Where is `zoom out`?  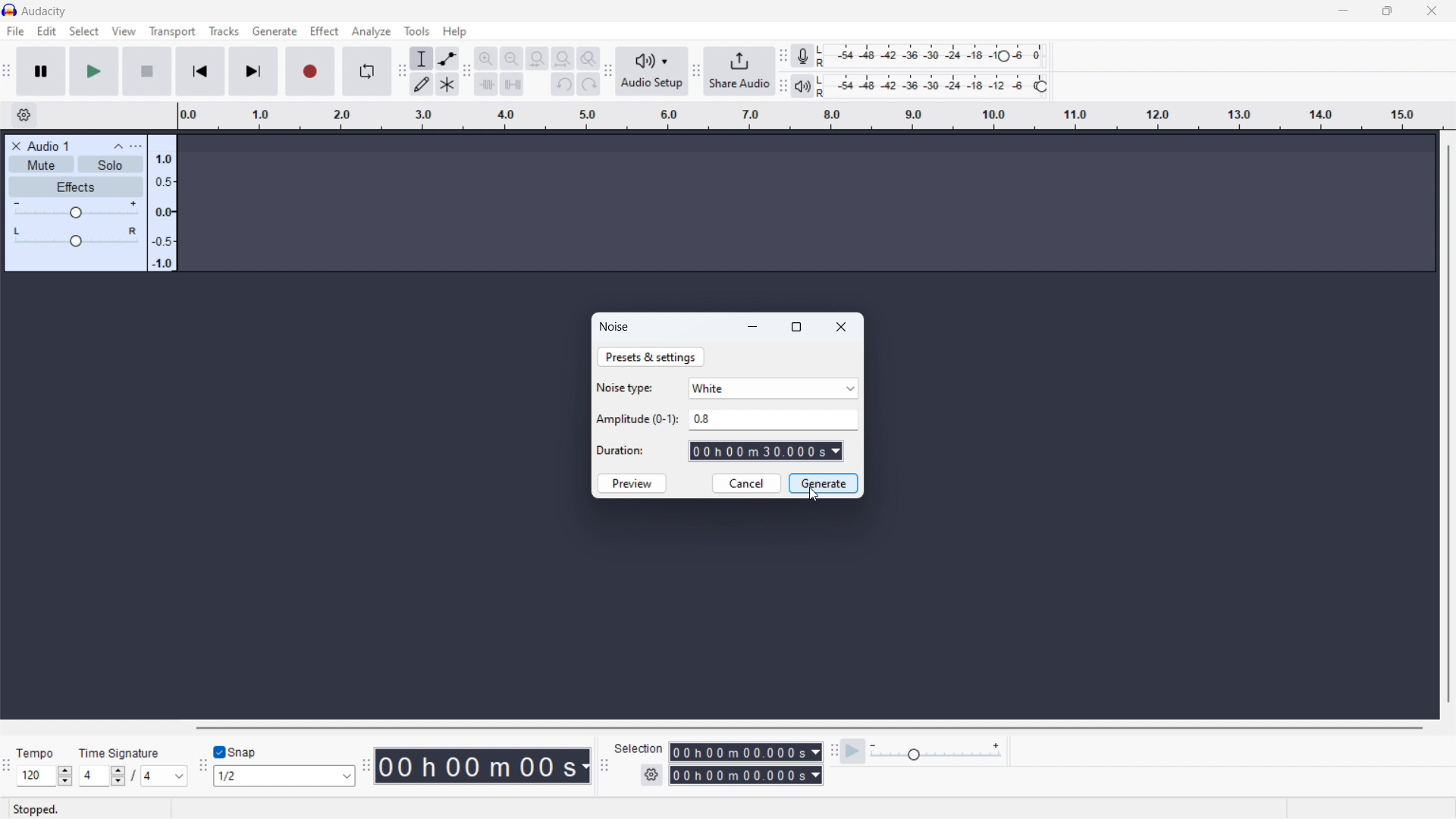 zoom out is located at coordinates (511, 58).